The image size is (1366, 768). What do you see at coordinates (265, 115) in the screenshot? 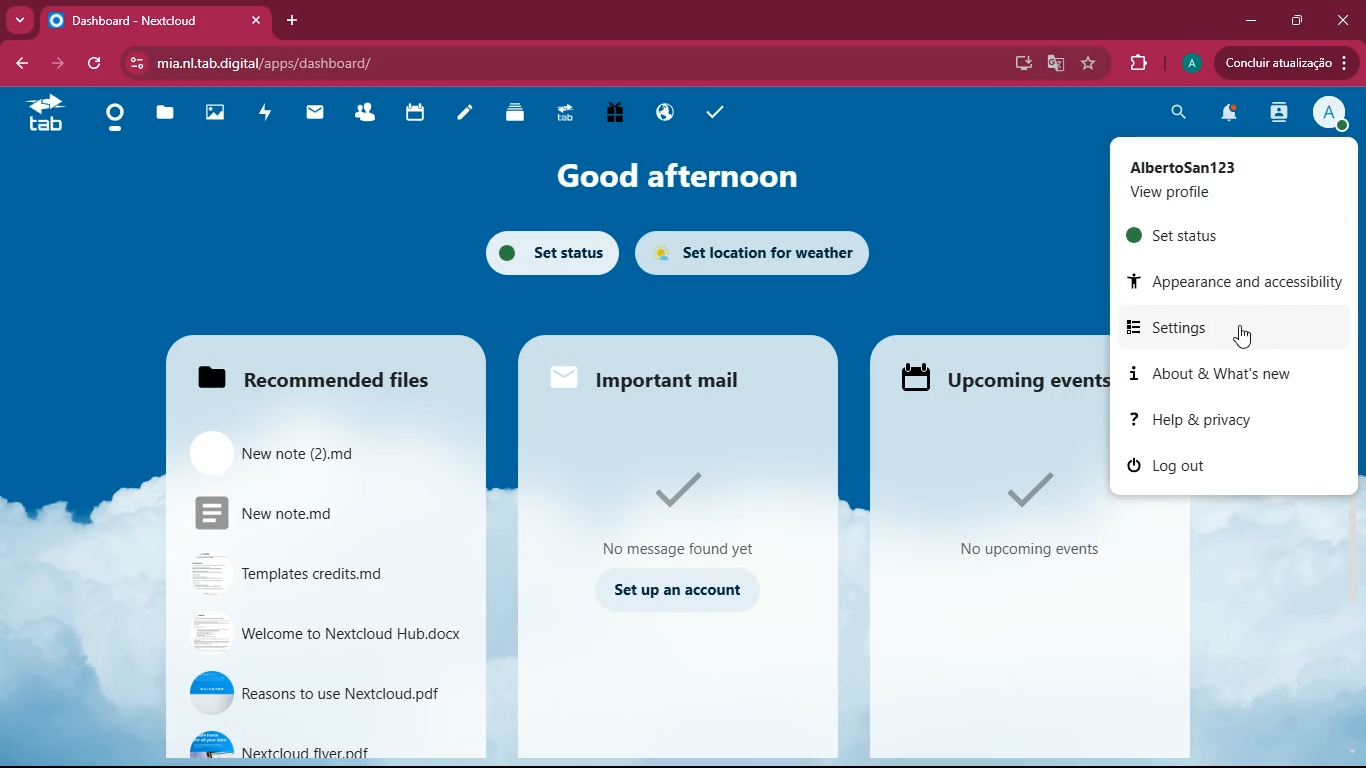
I see `activity` at bounding box center [265, 115].